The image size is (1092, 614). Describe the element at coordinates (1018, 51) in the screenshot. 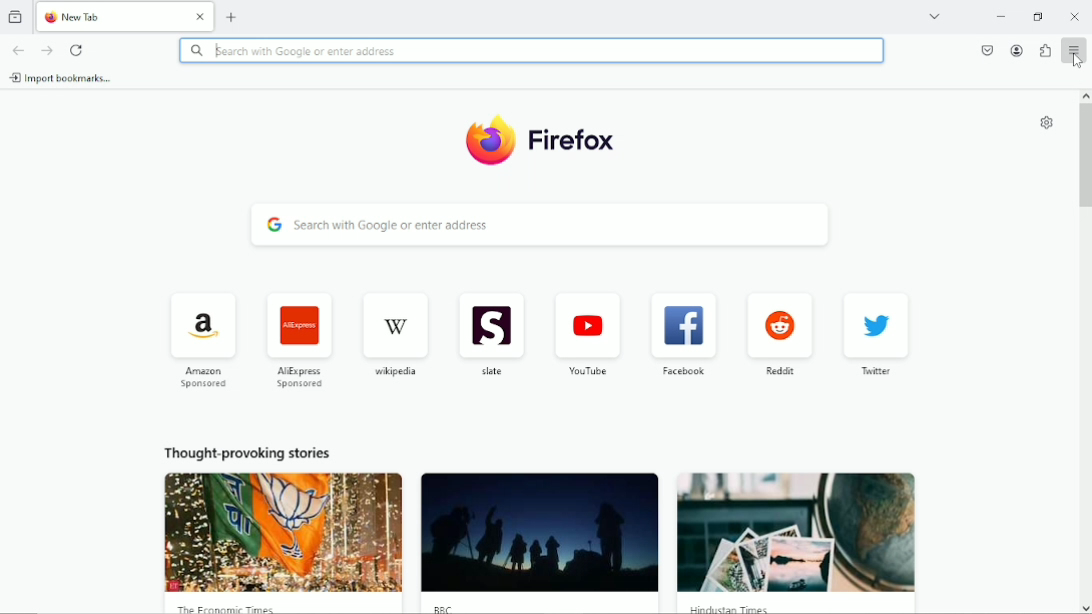

I see `account` at that location.